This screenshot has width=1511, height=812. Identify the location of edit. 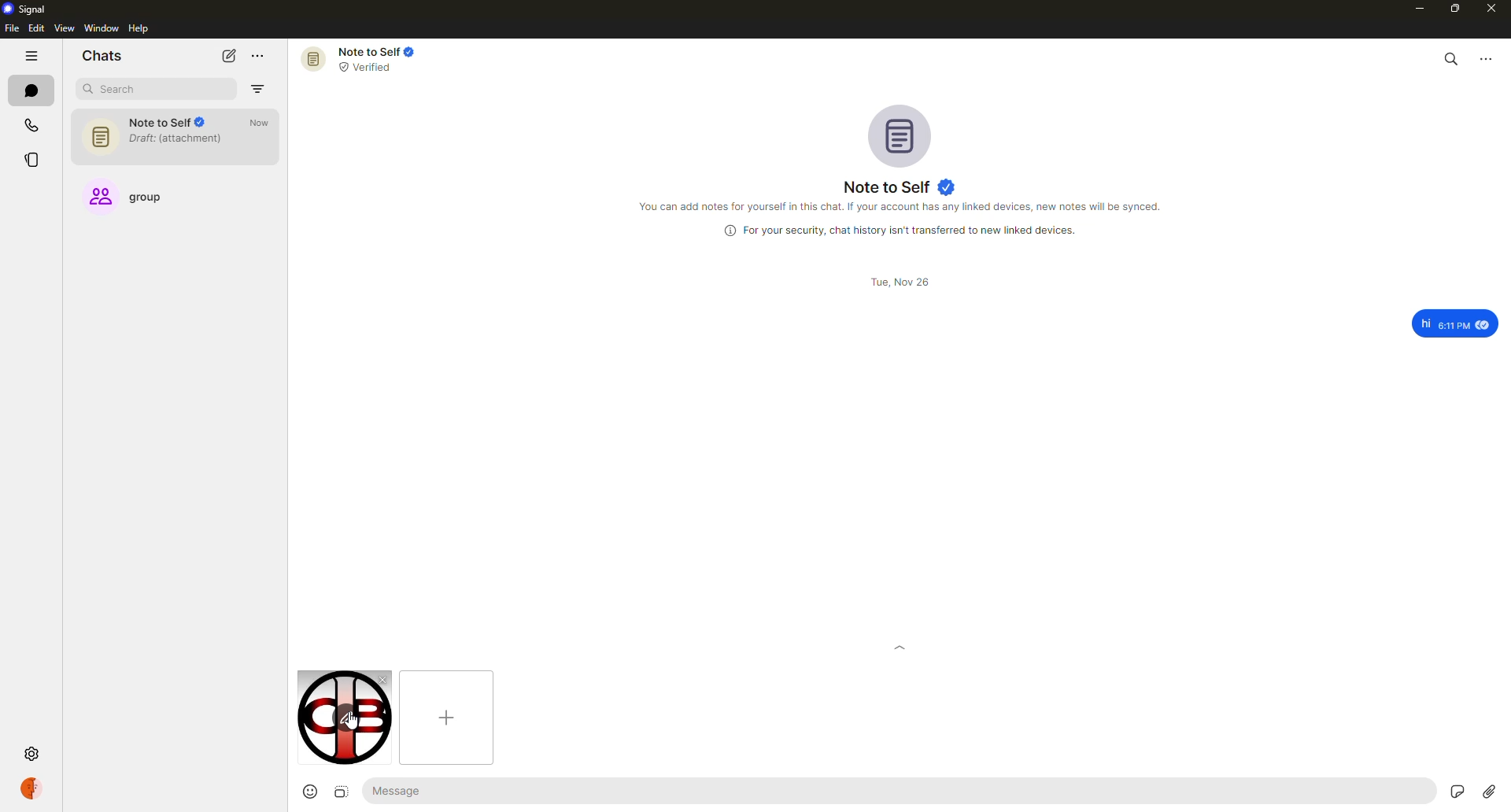
(36, 28).